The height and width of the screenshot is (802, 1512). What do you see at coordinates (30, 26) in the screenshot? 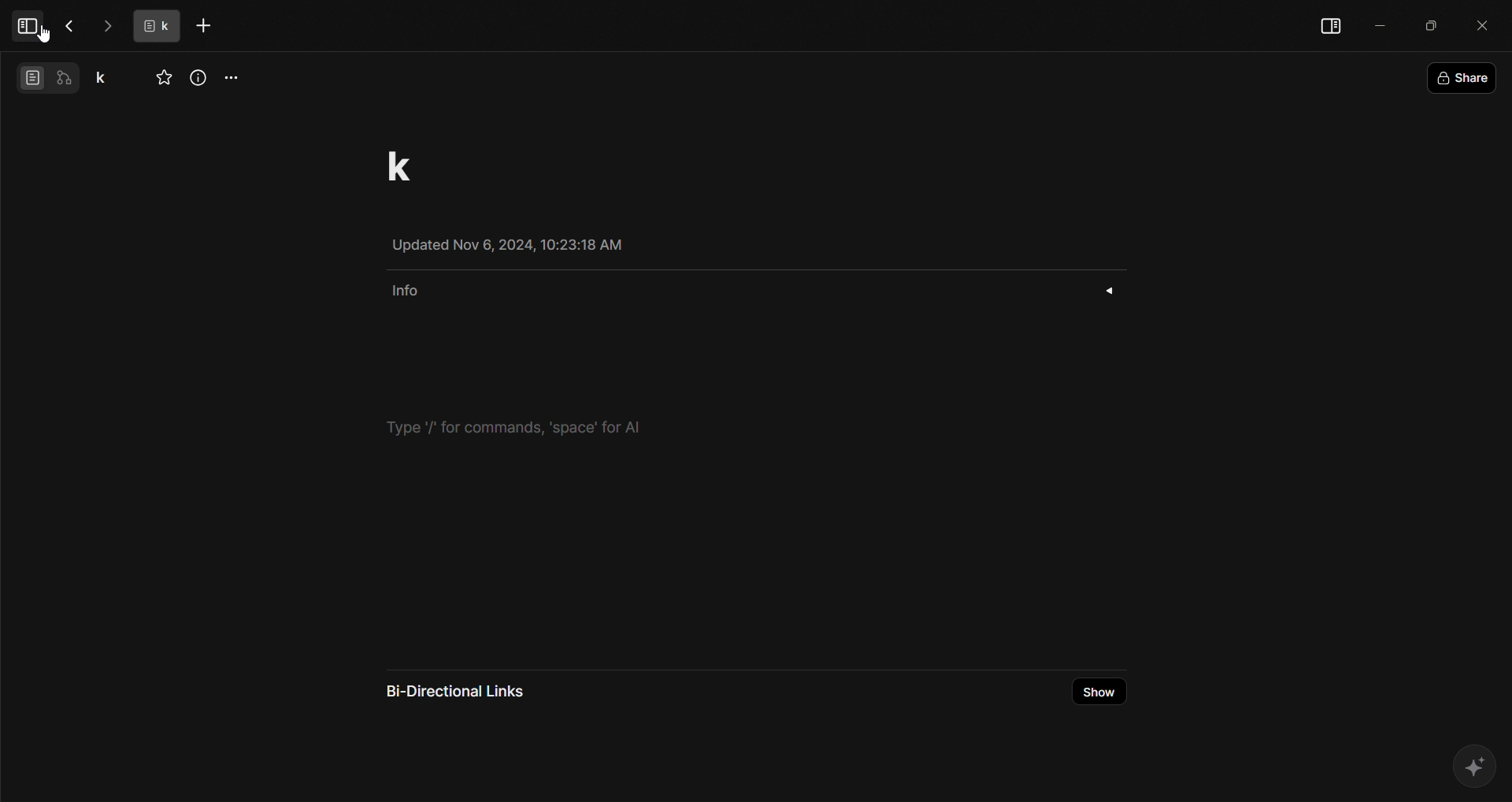
I see `view sidebar` at bounding box center [30, 26].